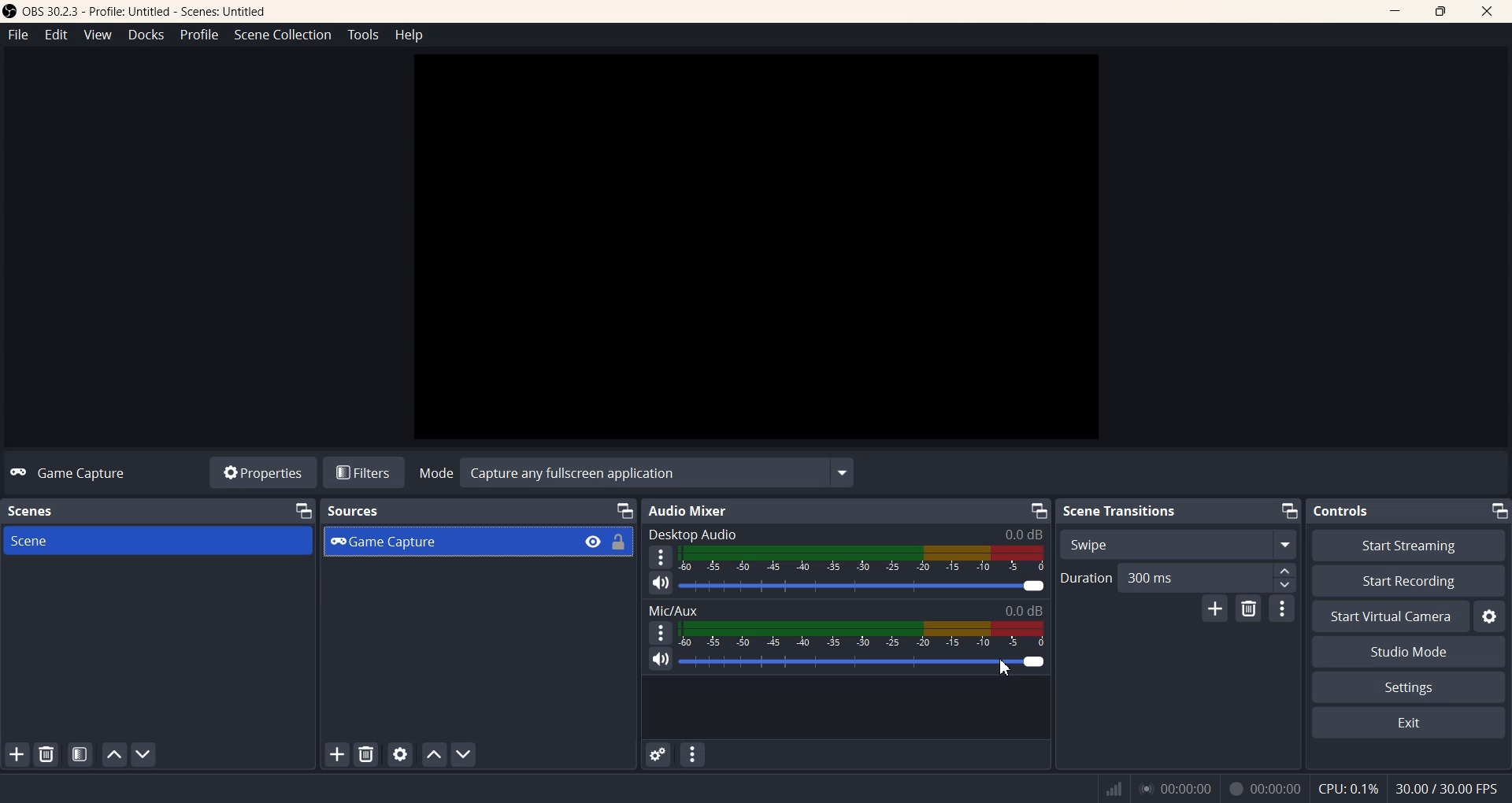 The height and width of the screenshot is (803, 1512). Describe the element at coordinates (353, 512) in the screenshot. I see `Text` at that location.